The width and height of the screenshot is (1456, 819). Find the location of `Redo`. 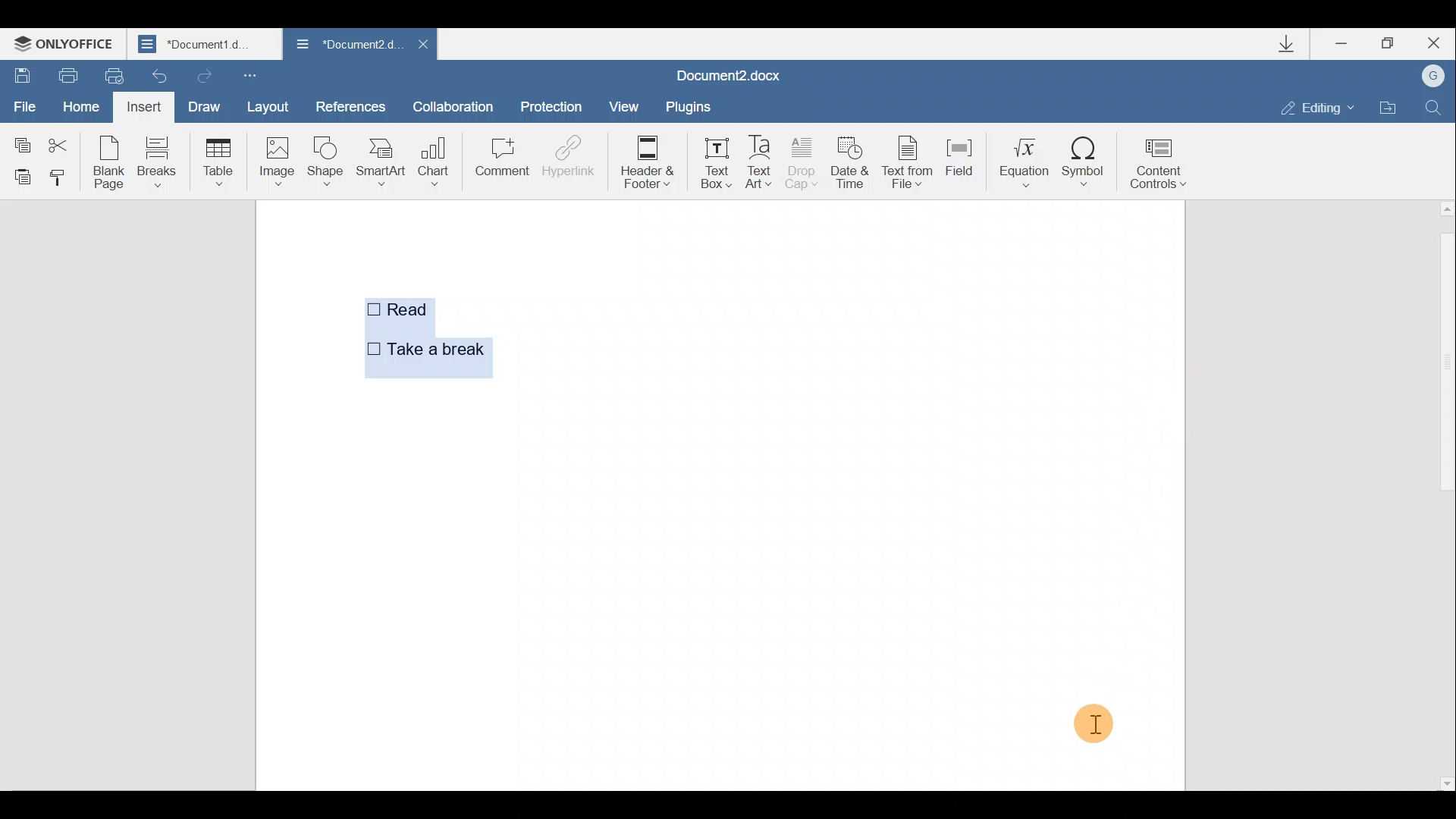

Redo is located at coordinates (204, 75).